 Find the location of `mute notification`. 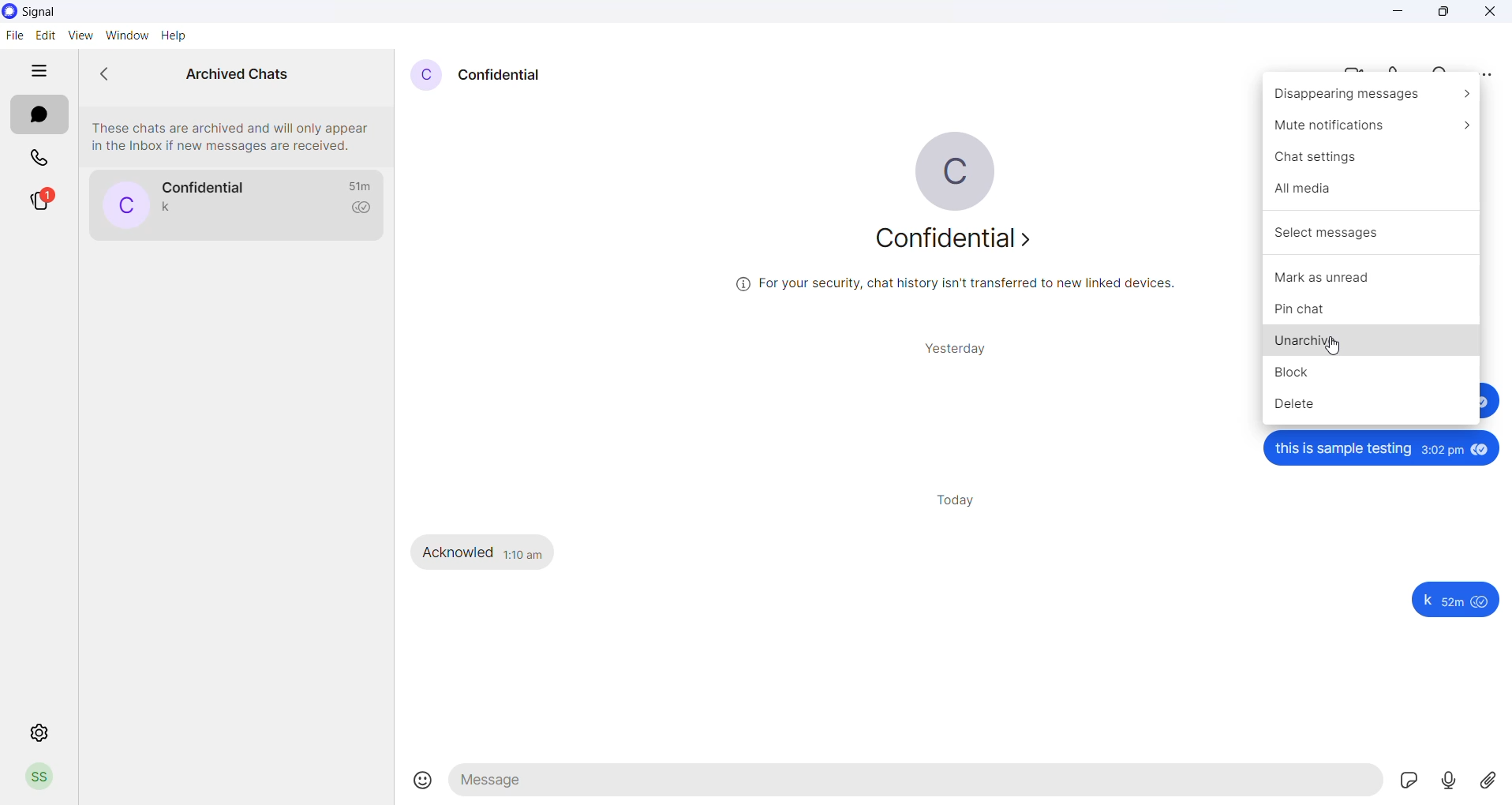

mute notification is located at coordinates (1372, 127).